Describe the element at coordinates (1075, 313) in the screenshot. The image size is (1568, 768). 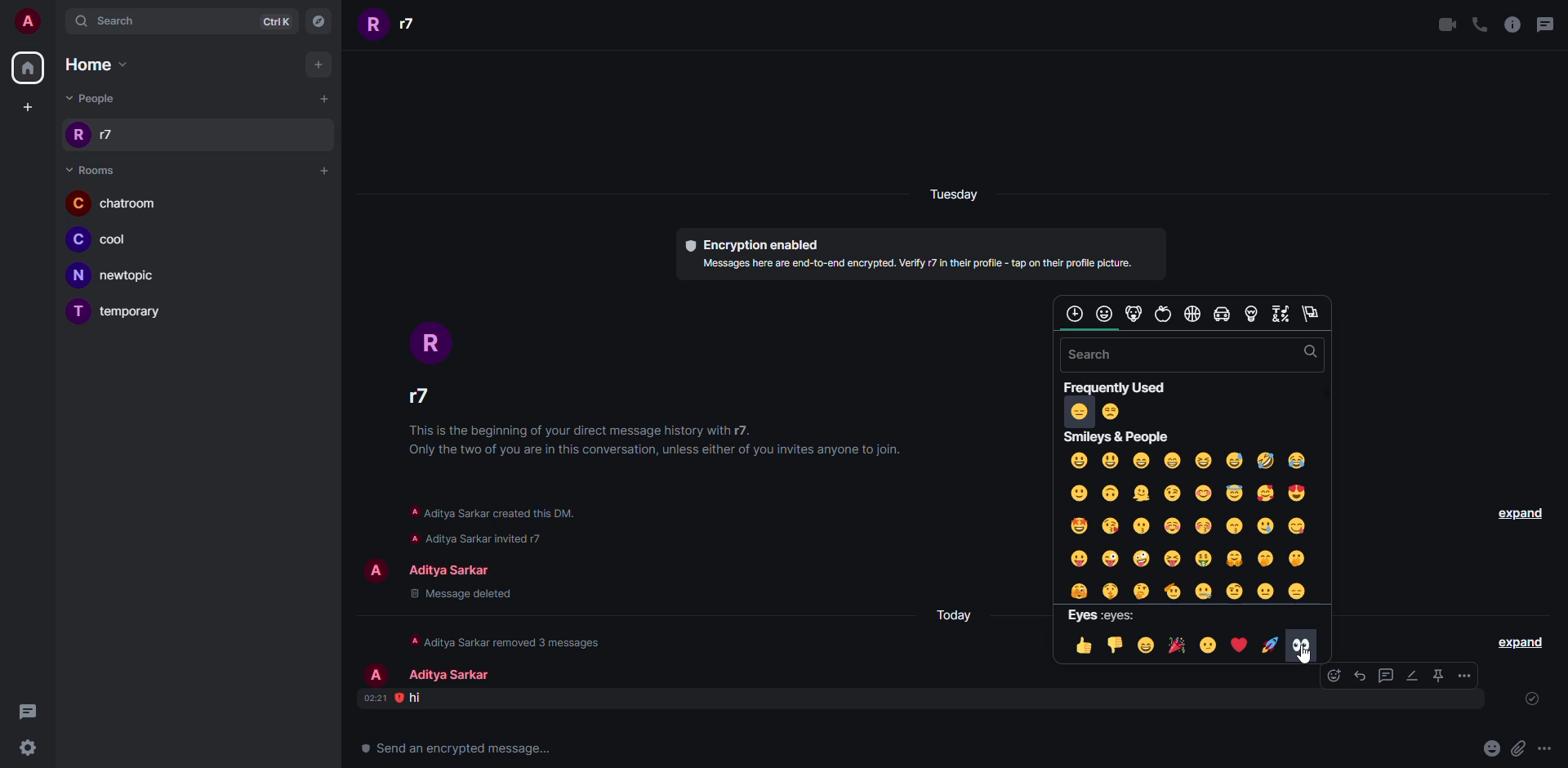
I see `category` at that location.